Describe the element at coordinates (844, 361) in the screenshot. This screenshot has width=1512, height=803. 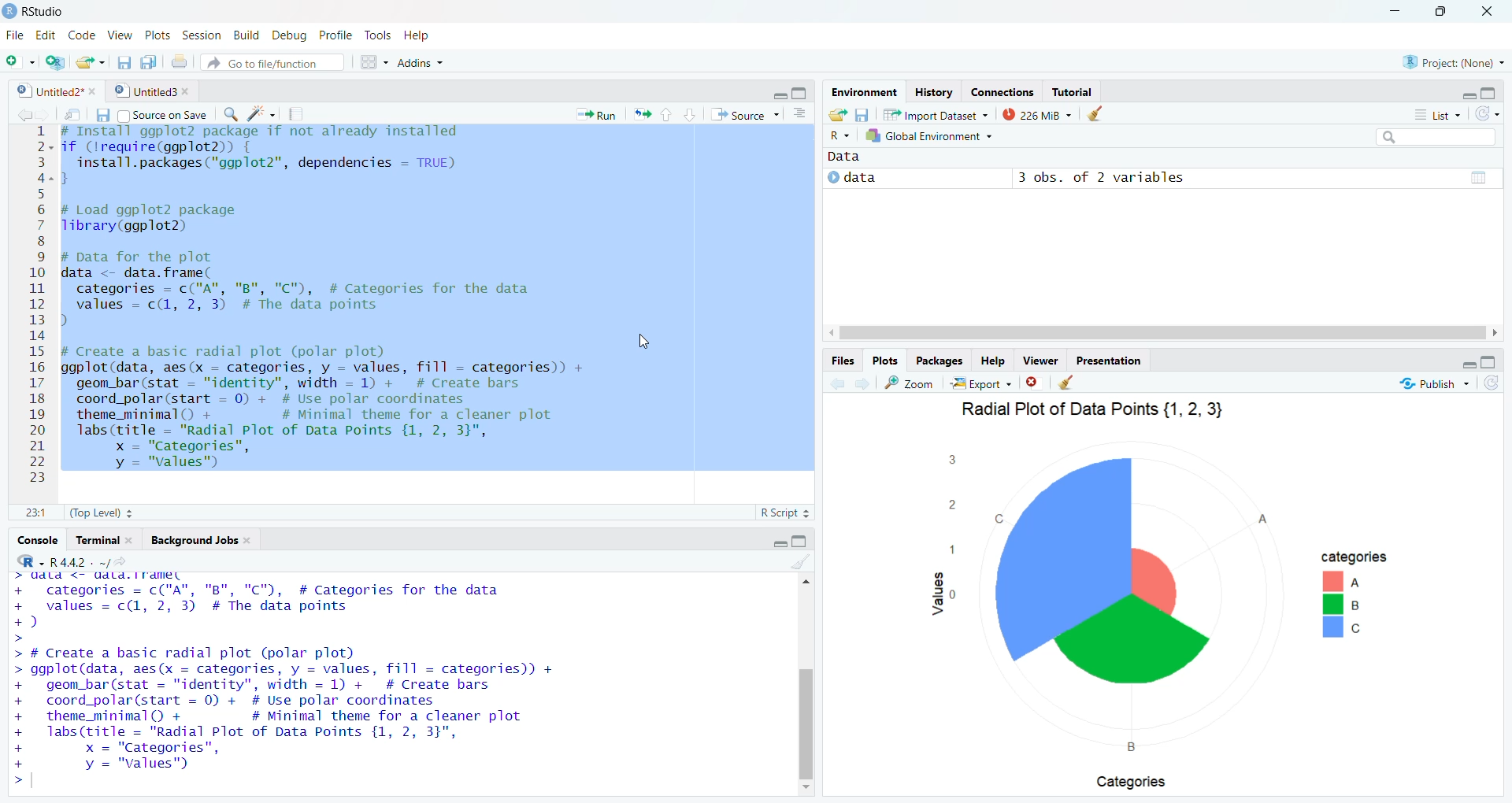
I see `Files` at that location.